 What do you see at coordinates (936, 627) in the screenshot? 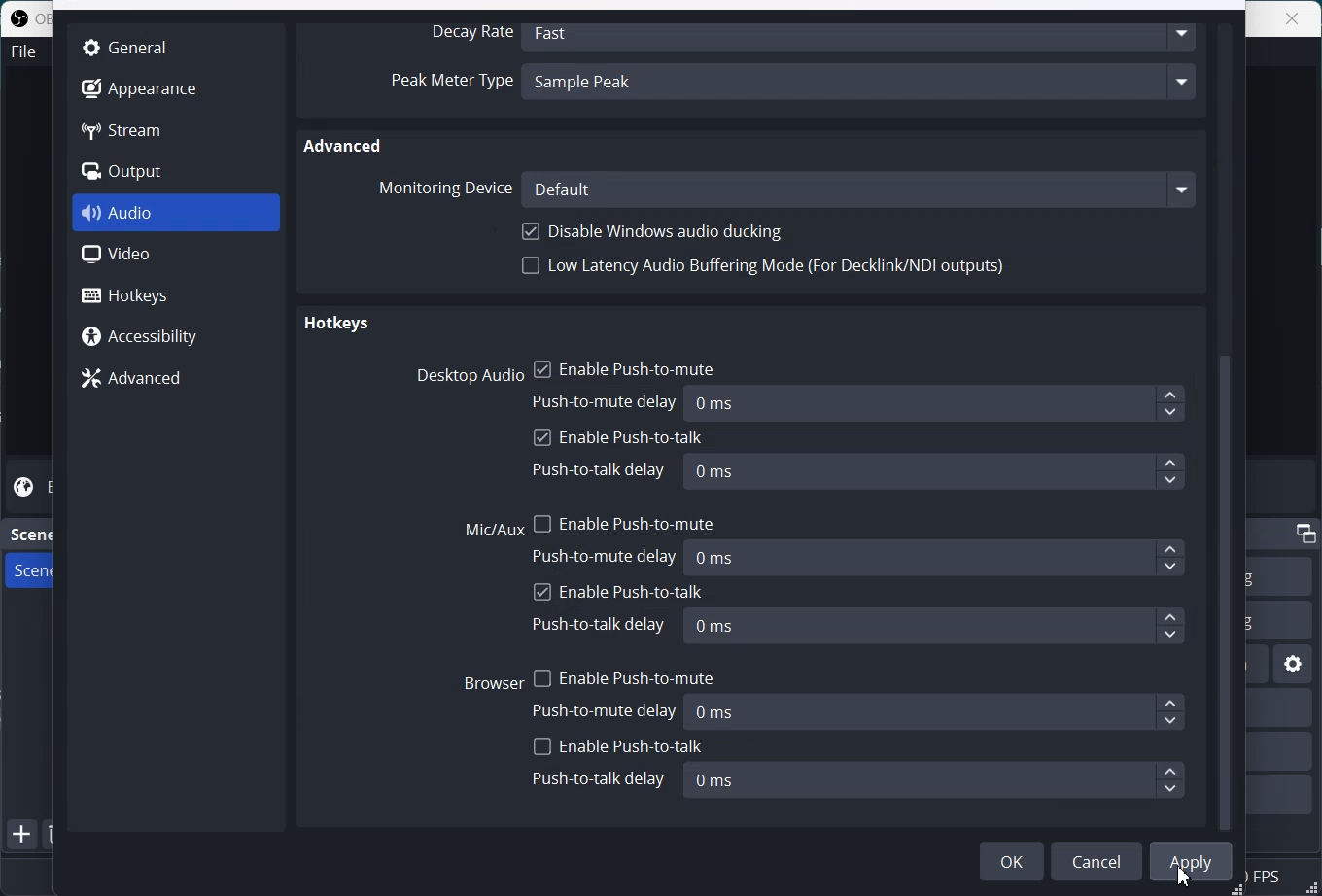
I see `0 ms` at bounding box center [936, 627].